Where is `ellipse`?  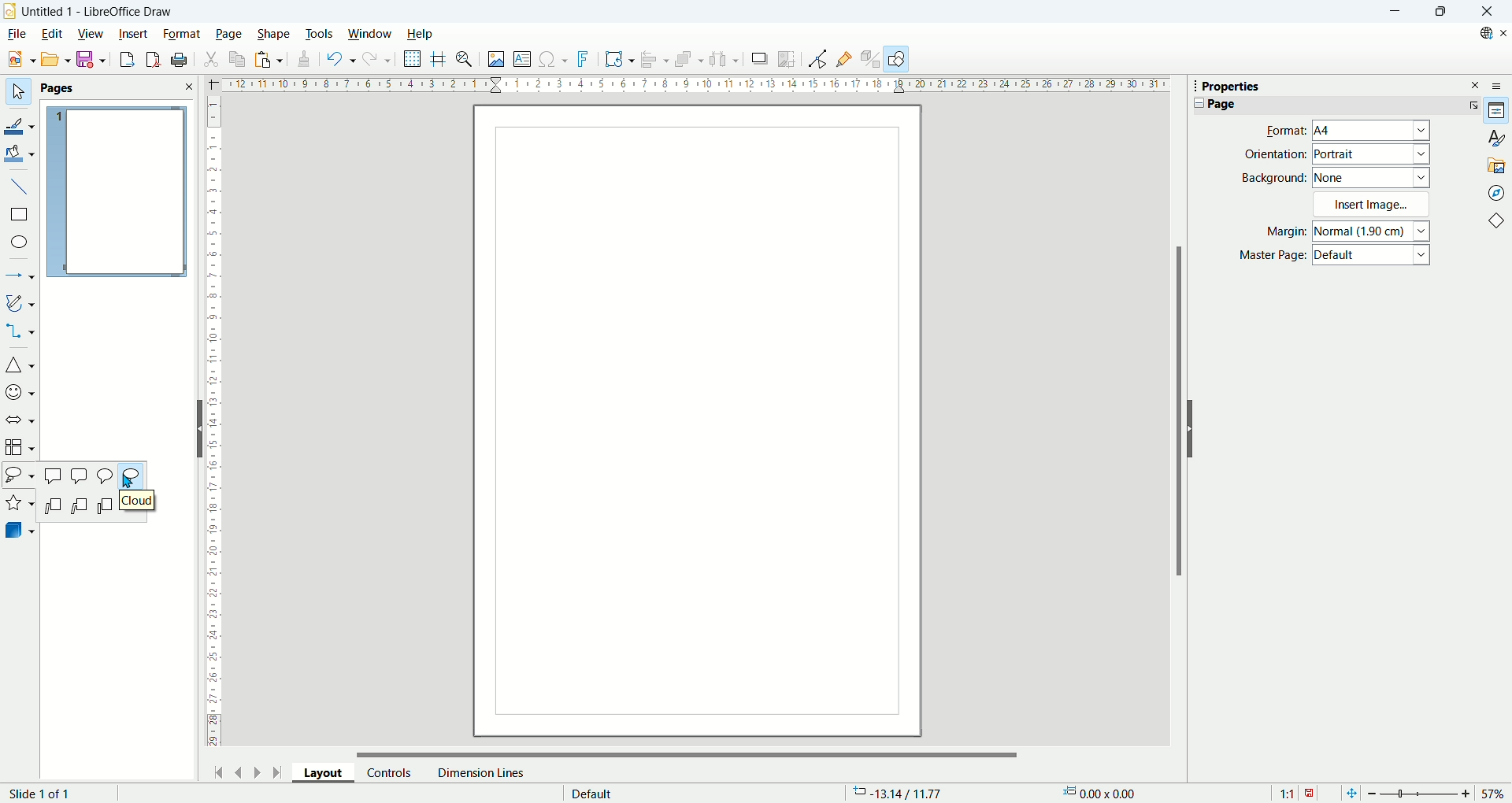 ellipse is located at coordinates (20, 243).